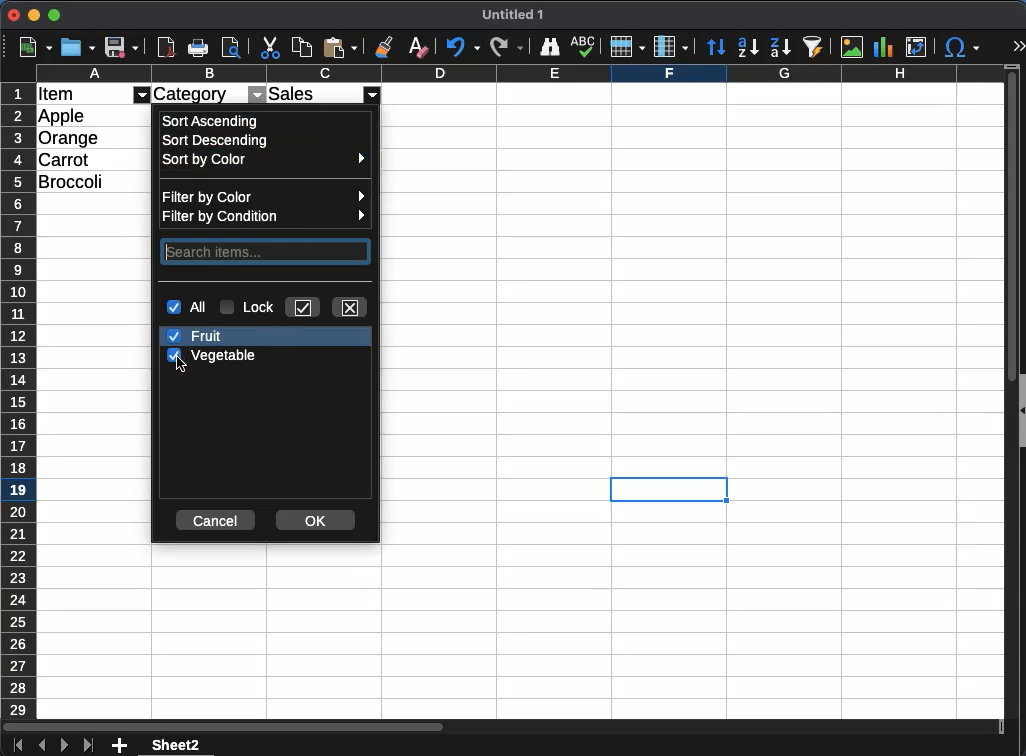 The height and width of the screenshot is (756, 1026). Describe the element at coordinates (197, 47) in the screenshot. I see `print` at that location.